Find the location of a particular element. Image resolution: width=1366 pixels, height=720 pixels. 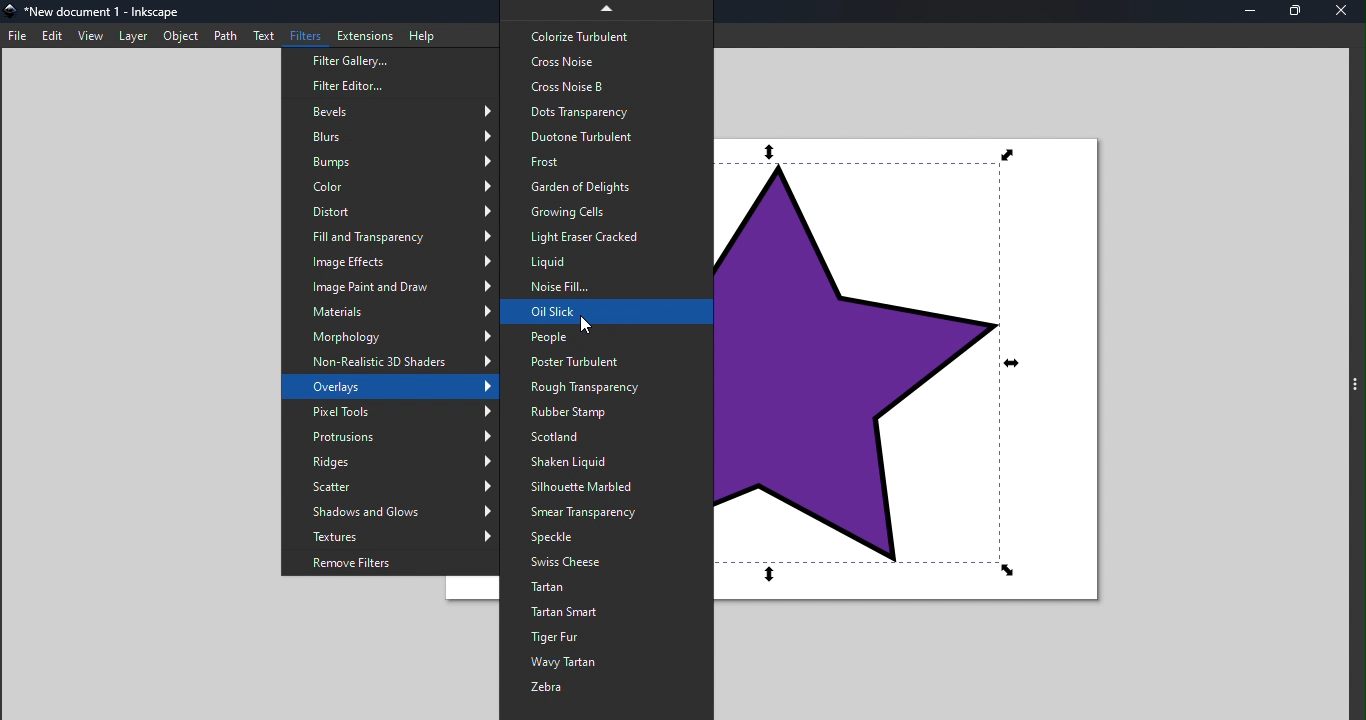

Shaken liquid is located at coordinates (610, 462).